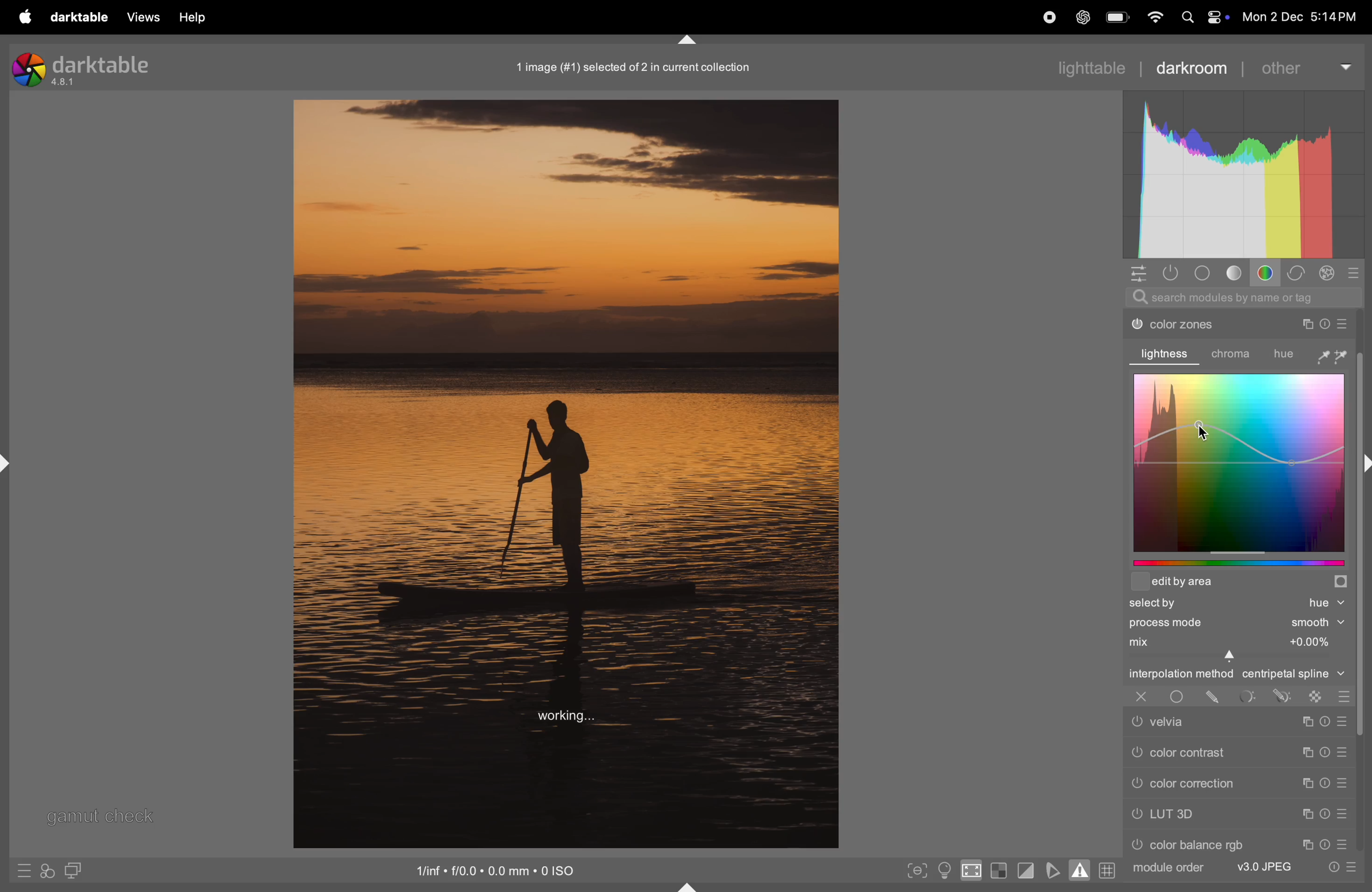  What do you see at coordinates (76, 872) in the screenshot?
I see `display second window` at bounding box center [76, 872].